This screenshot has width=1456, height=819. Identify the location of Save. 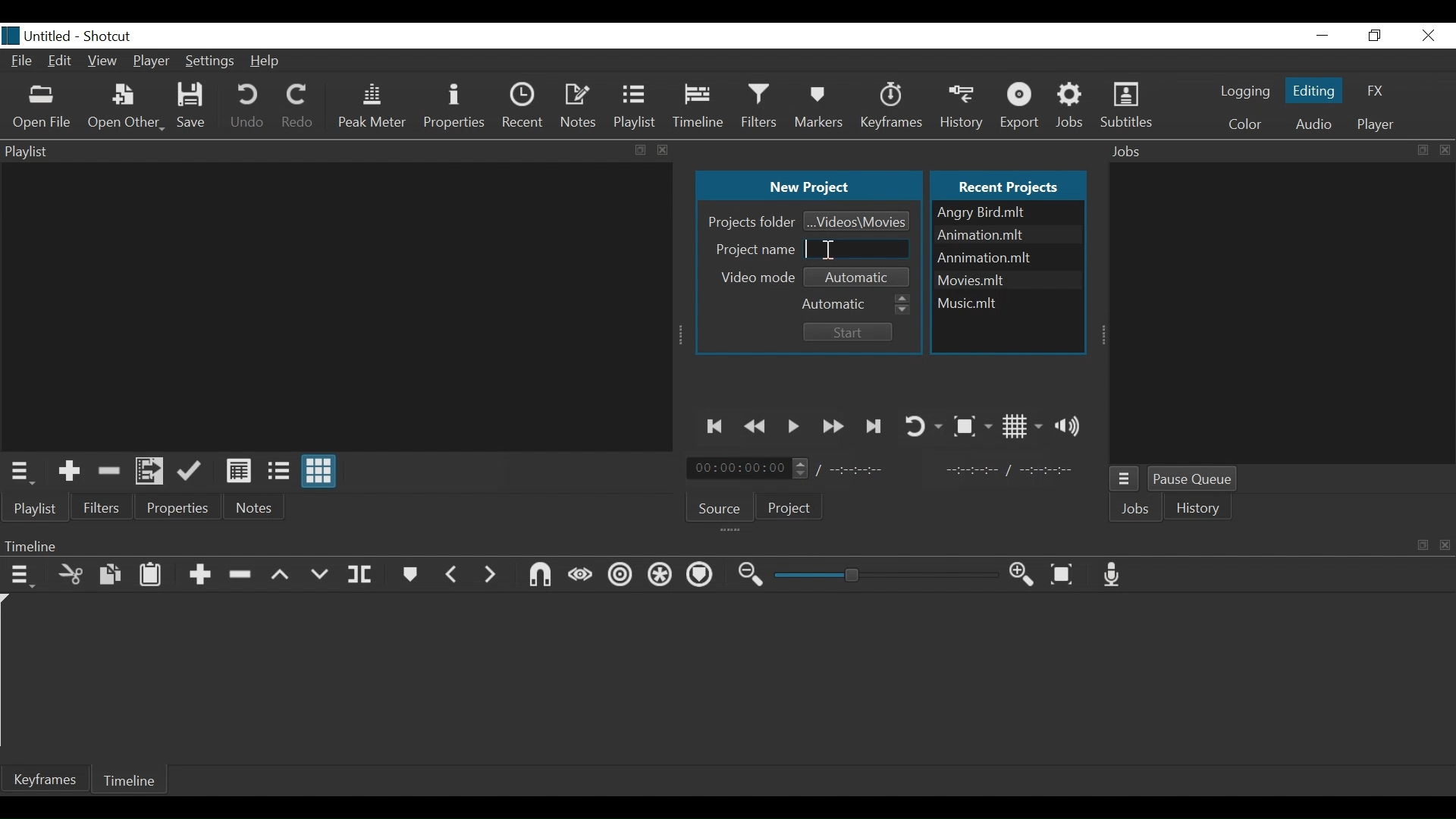
(193, 107).